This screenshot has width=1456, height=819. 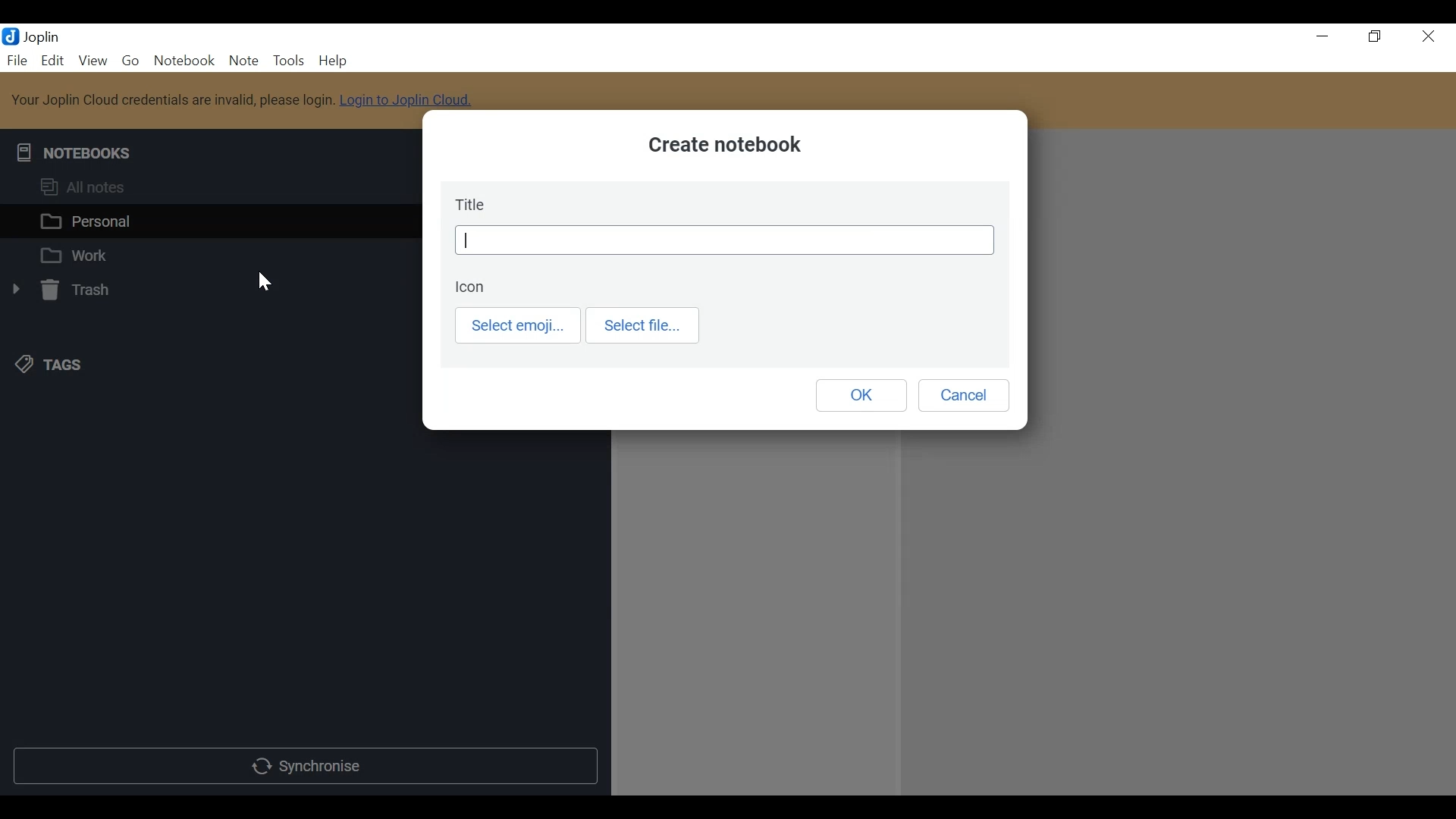 I want to click on Close, so click(x=1431, y=36).